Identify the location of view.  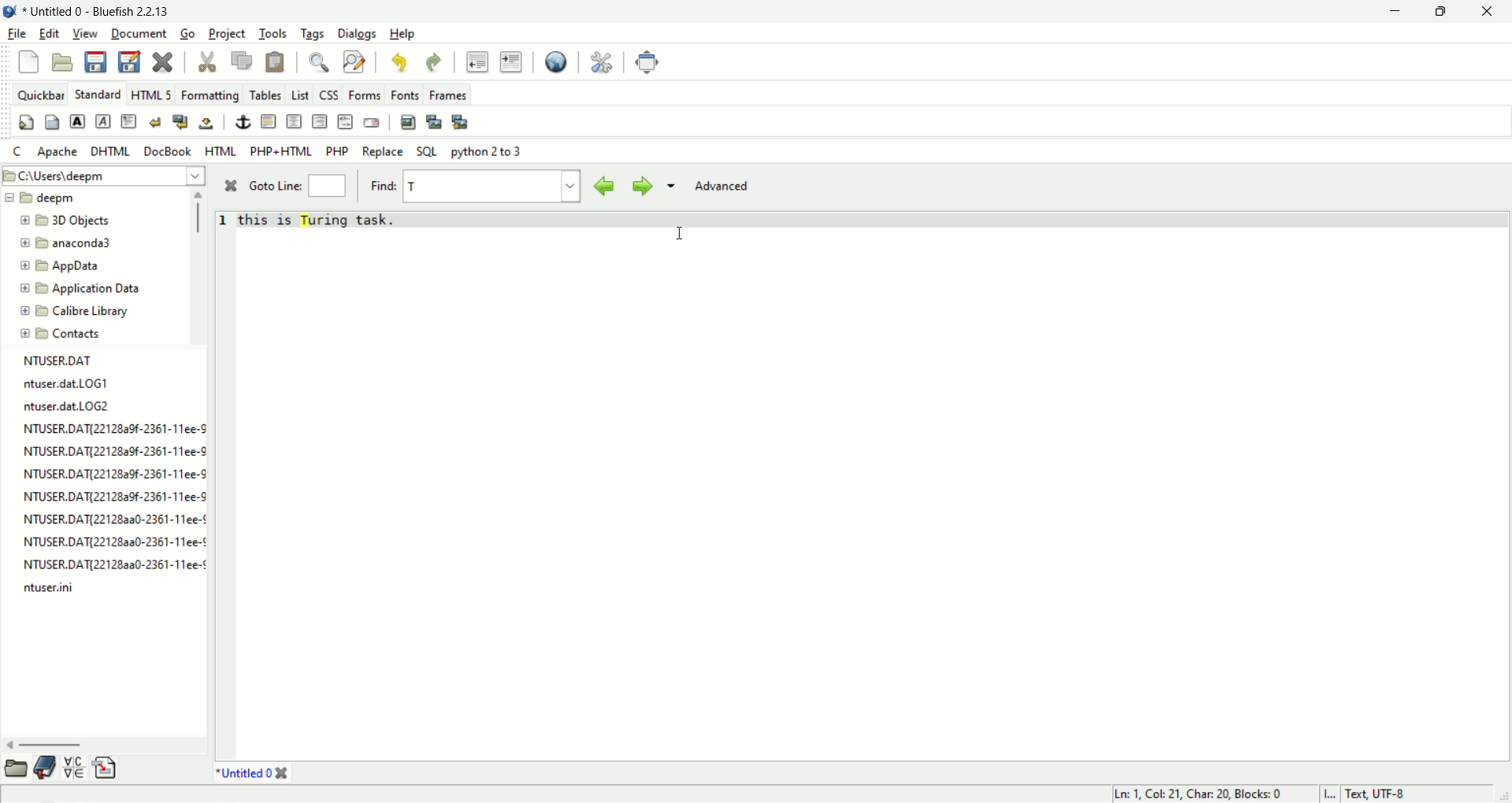
(84, 34).